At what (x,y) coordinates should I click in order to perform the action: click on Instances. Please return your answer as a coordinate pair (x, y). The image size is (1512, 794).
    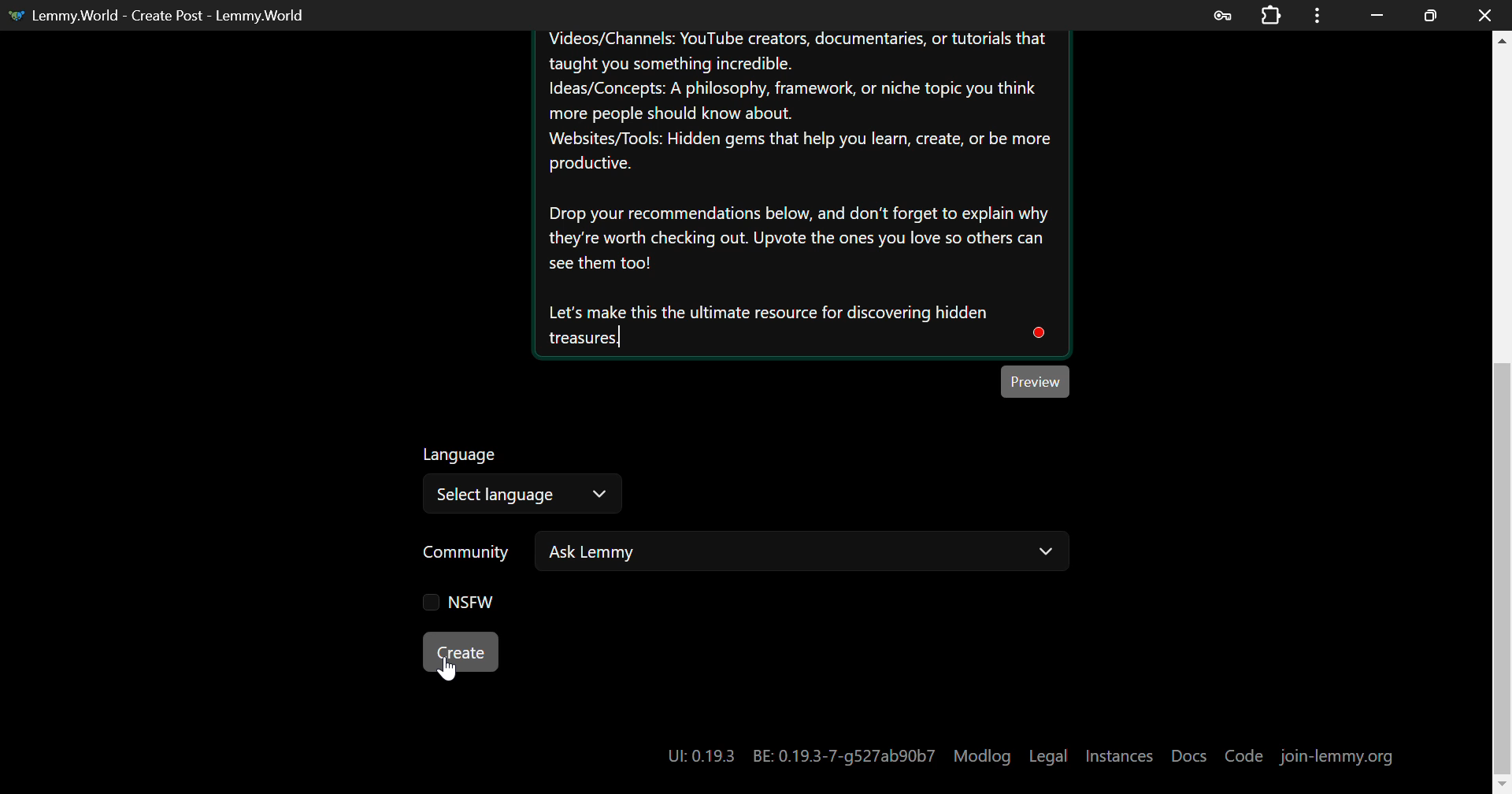
    Looking at the image, I should click on (1119, 756).